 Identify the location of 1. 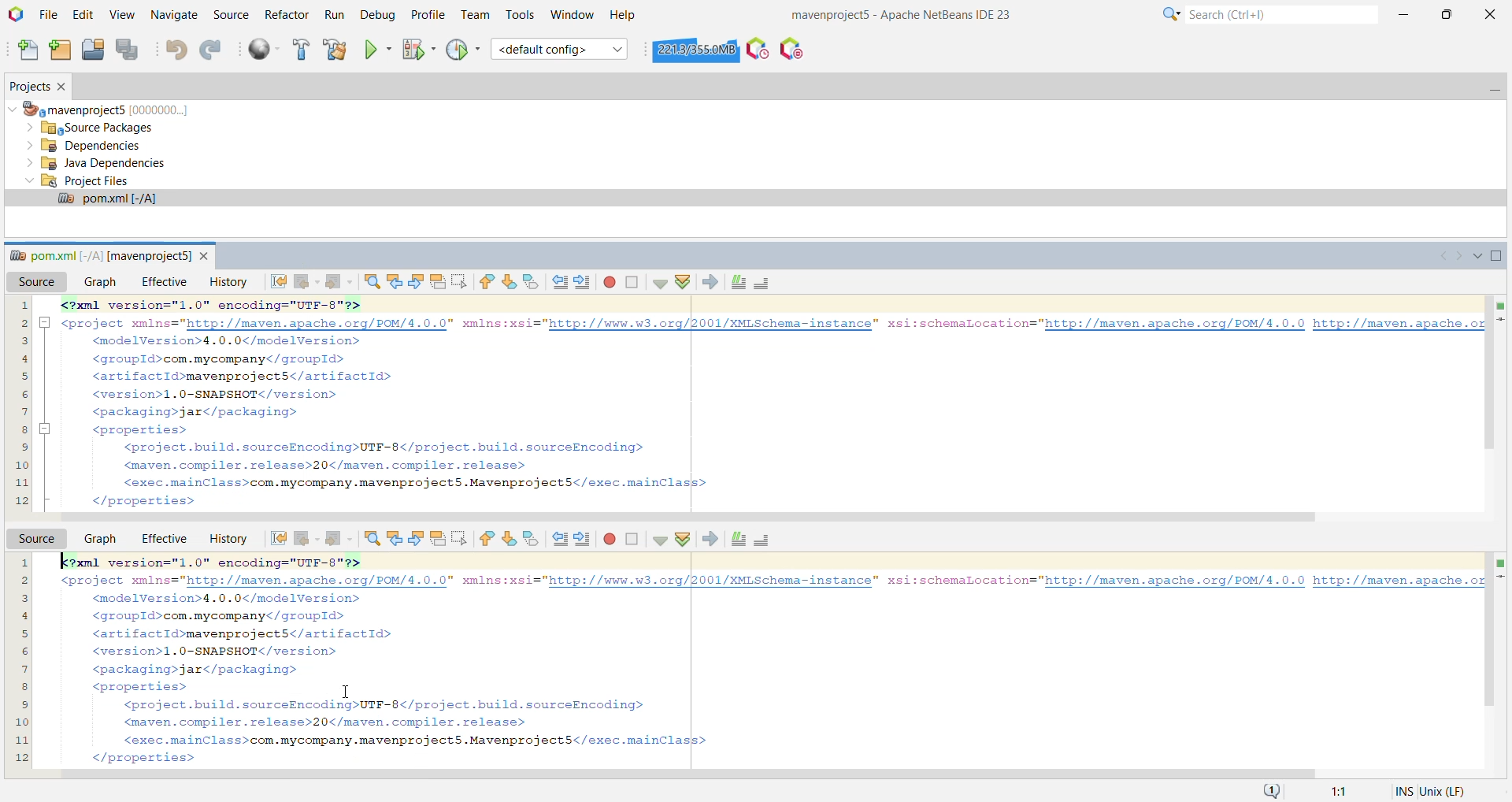
(21, 305).